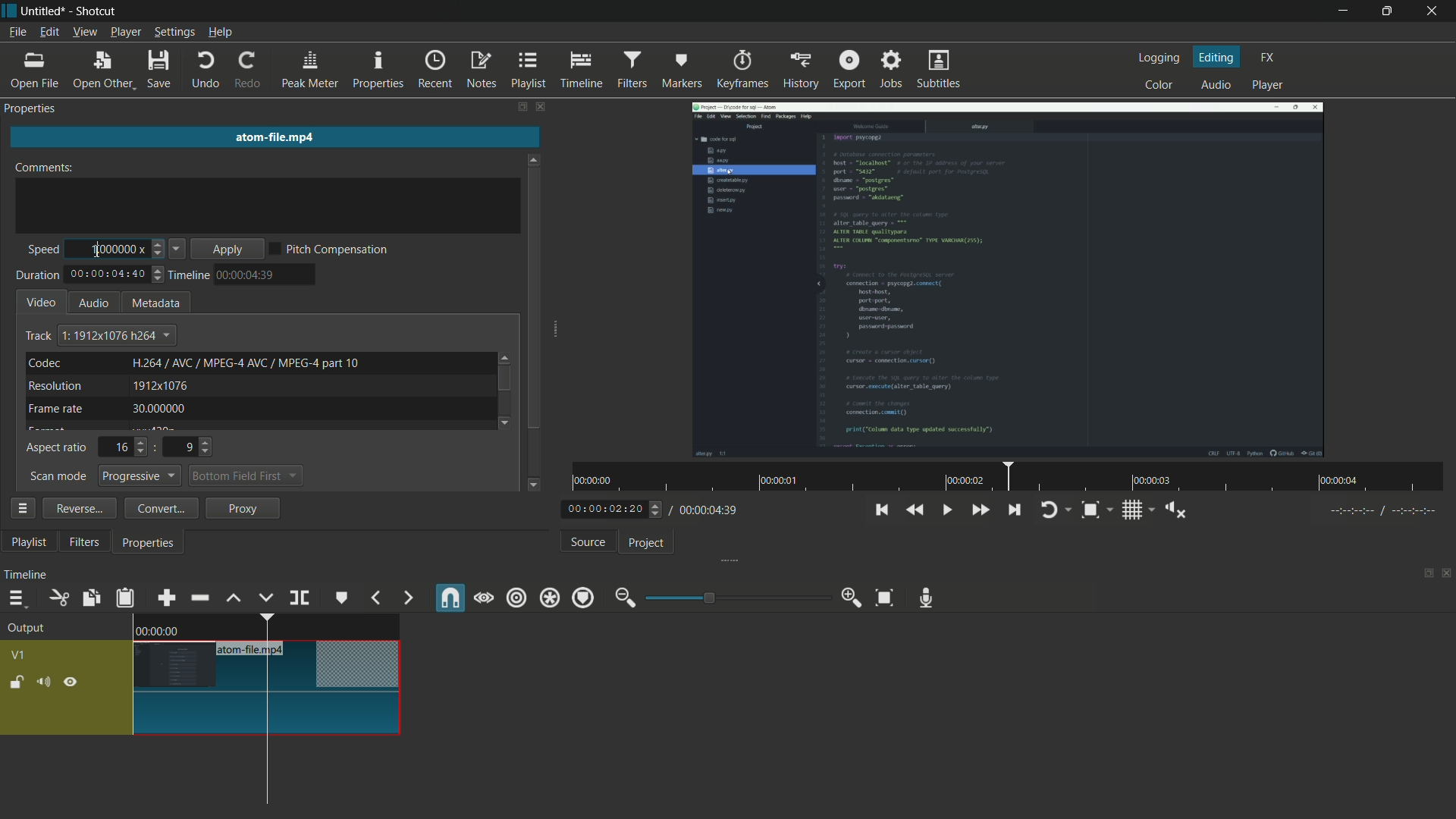  I want to click on reverse, so click(79, 508).